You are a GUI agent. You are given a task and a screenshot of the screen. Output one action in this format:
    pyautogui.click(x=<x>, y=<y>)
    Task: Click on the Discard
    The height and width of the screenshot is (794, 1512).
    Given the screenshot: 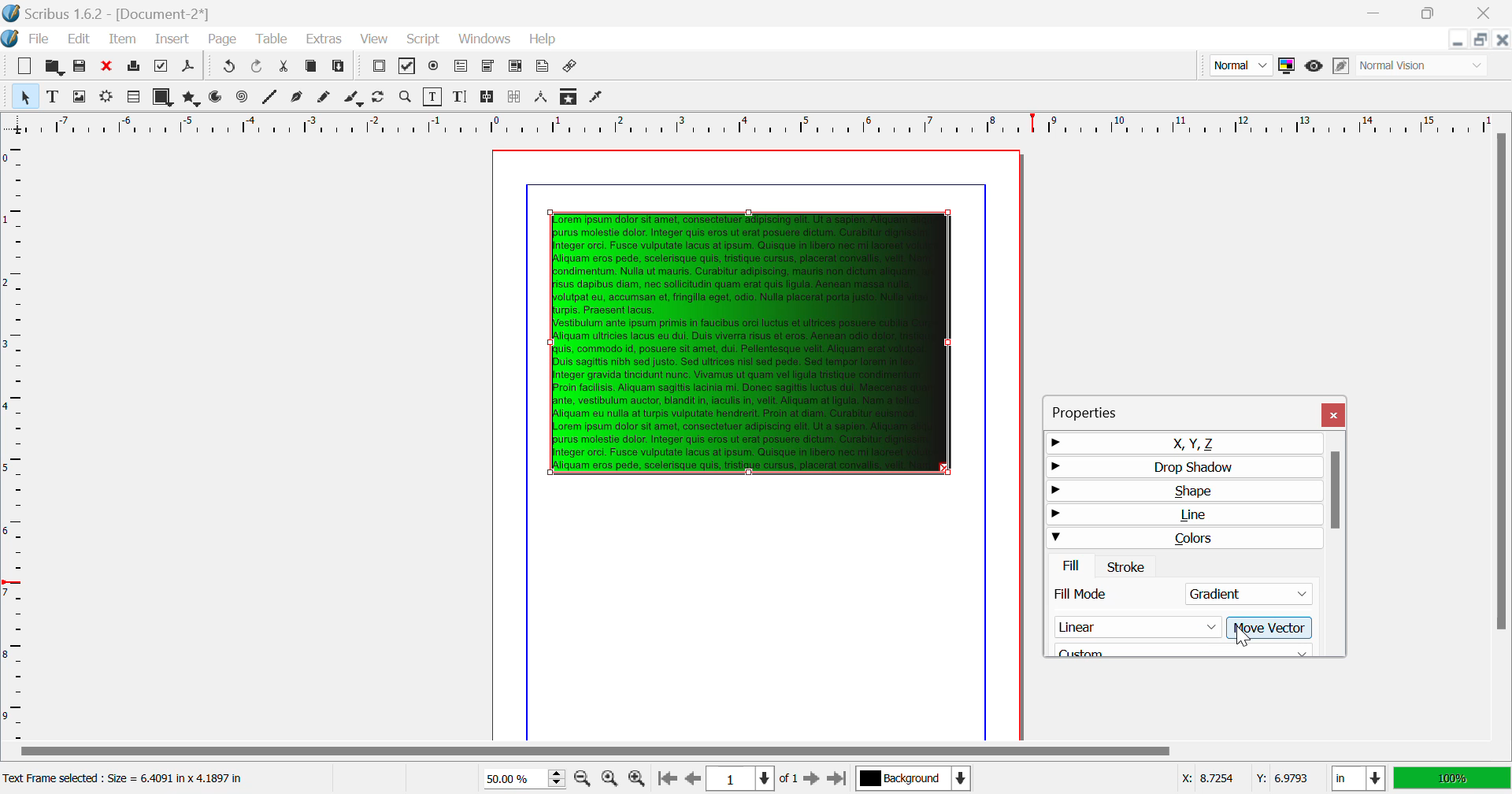 What is the action you would take?
    pyautogui.click(x=107, y=66)
    